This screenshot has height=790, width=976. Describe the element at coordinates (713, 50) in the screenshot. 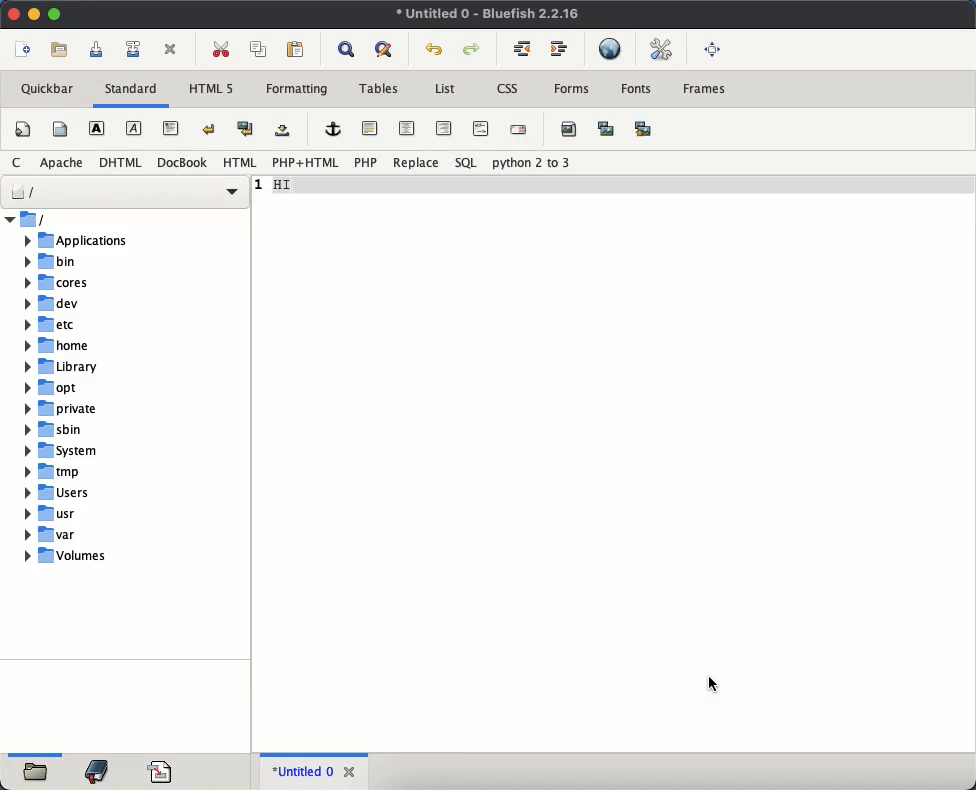

I see `full screen` at that location.